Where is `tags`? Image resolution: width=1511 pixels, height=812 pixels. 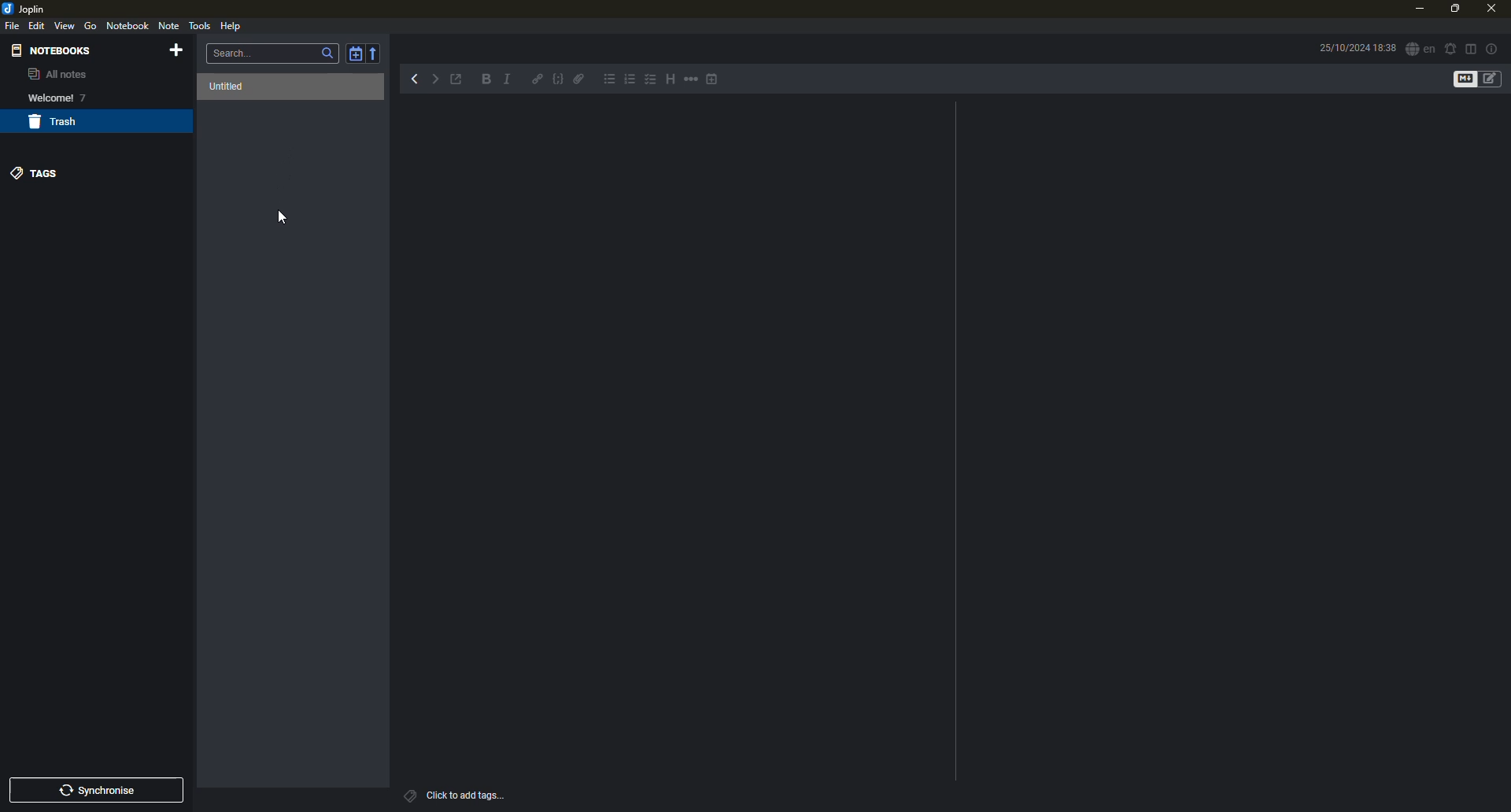 tags is located at coordinates (408, 795).